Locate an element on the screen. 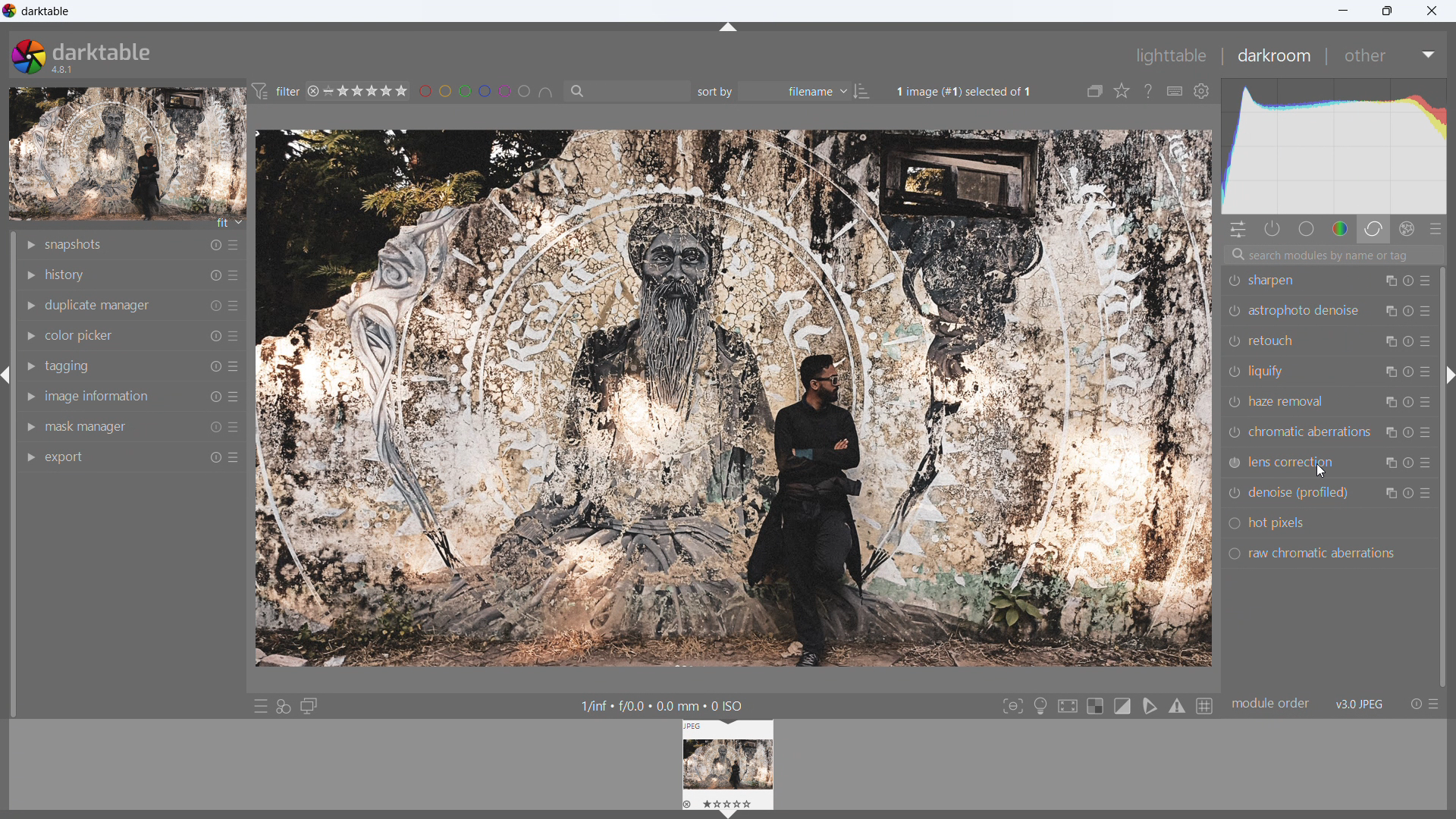 Image resolution: width=1456 pixels, height=819 pixels. range rating is located at coordinates (375, 90).